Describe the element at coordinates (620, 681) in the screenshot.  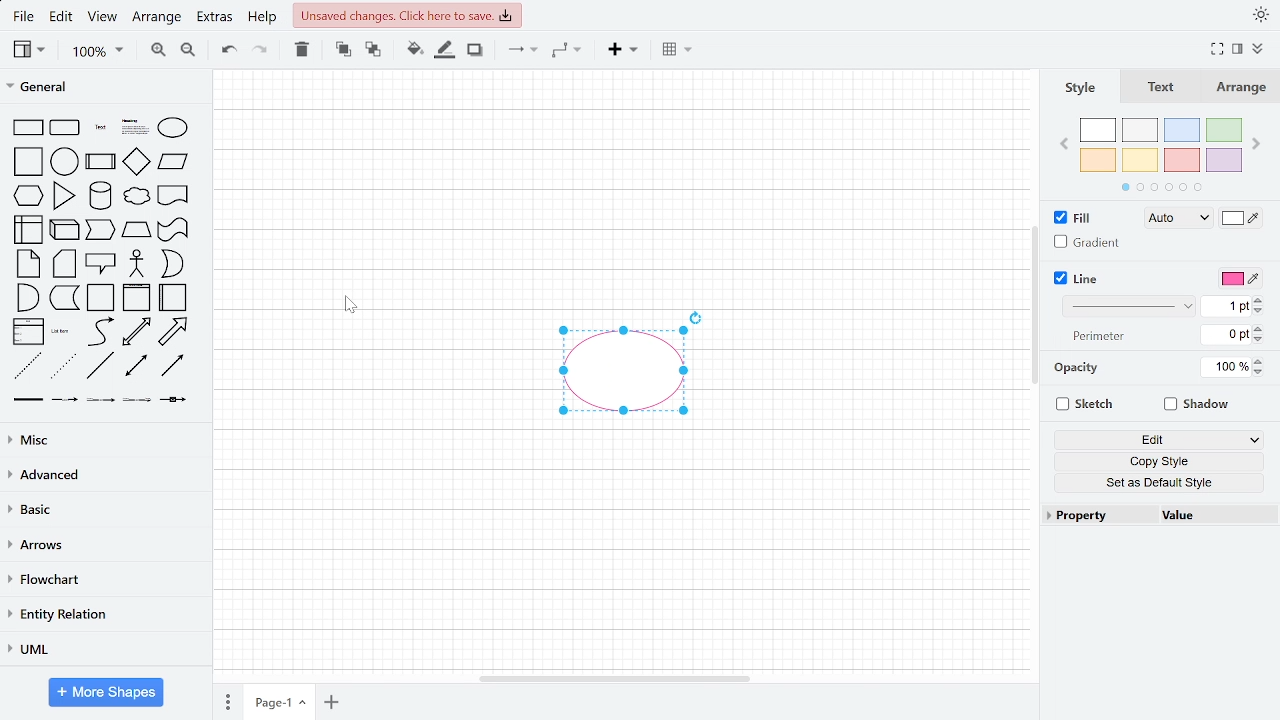
I see `Horizontal scrollbar` at that location.